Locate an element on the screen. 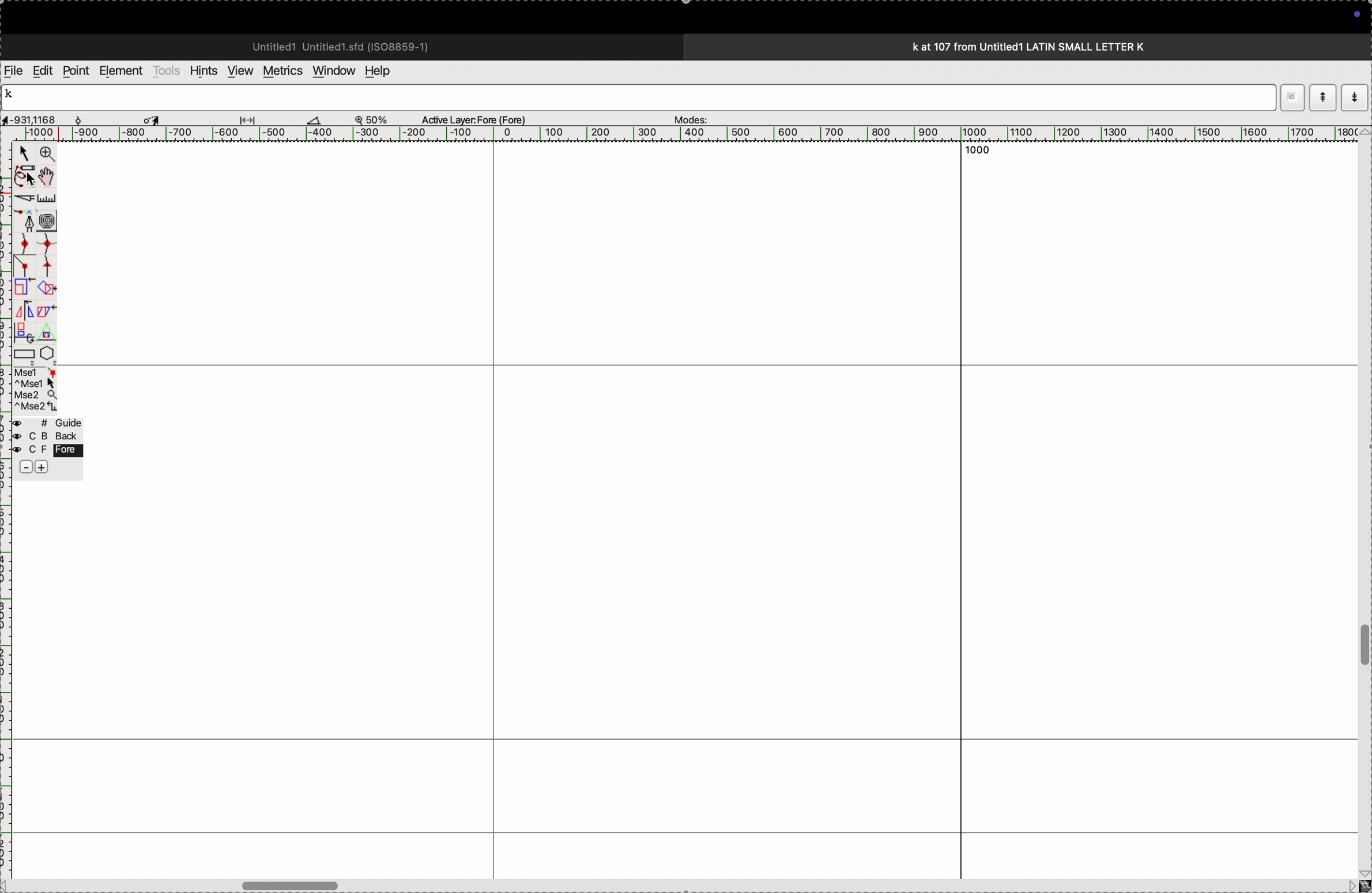  scale is located at coordinates (49, 198).